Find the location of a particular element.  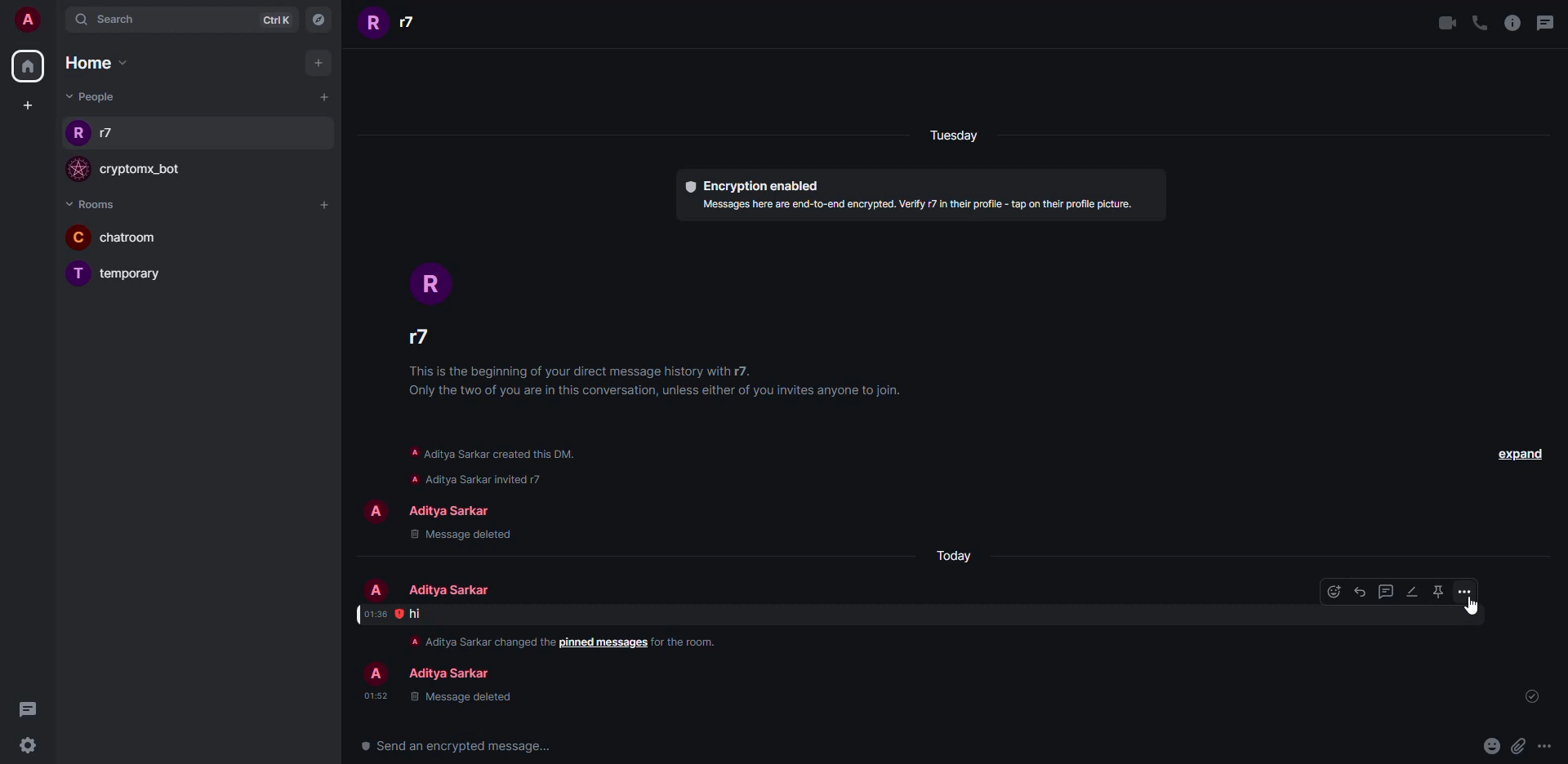

emoji is located at coordinates (1334, 591).